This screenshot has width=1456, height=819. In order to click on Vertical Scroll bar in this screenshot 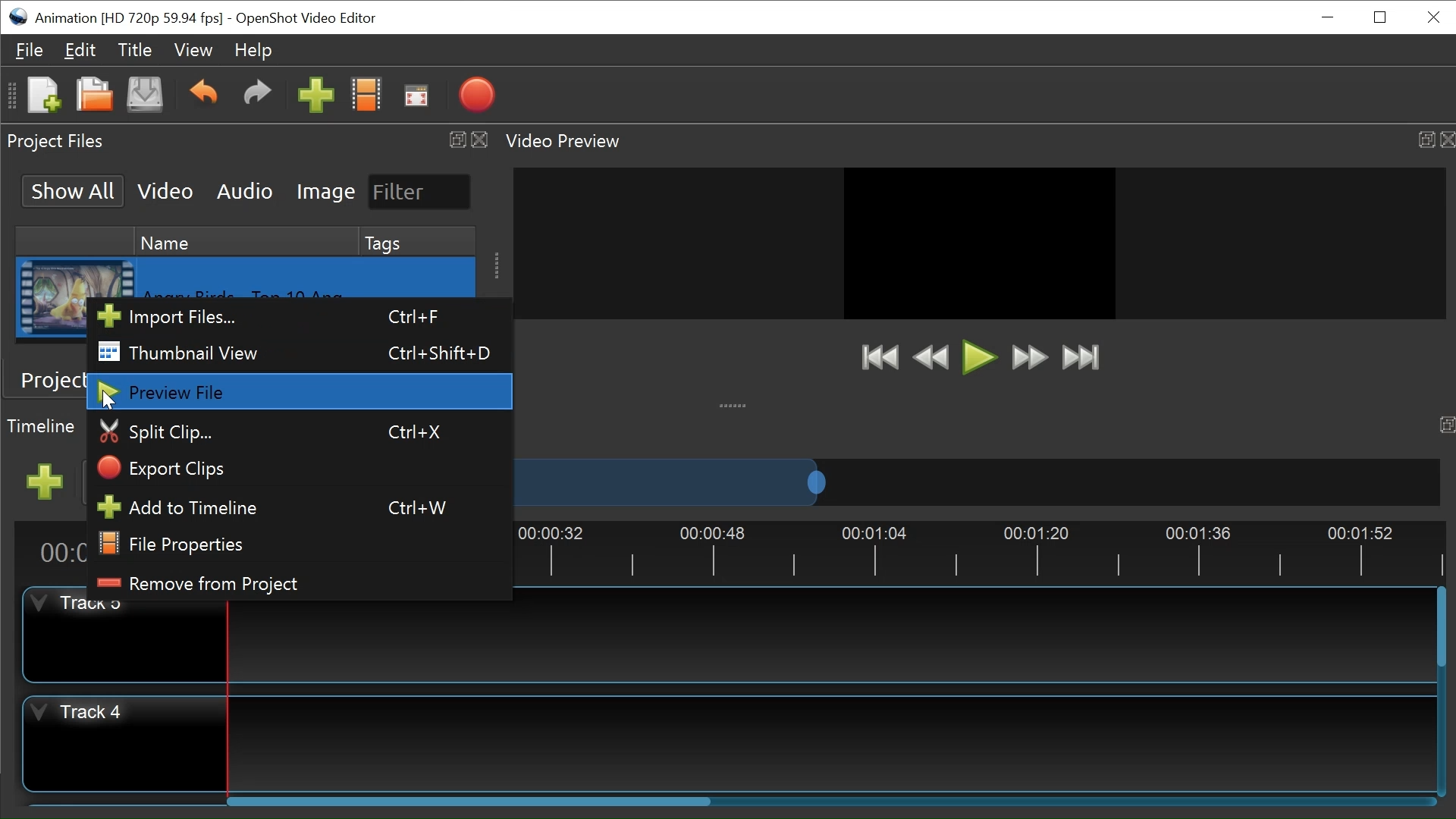, I will do `click(1441, 626)`.